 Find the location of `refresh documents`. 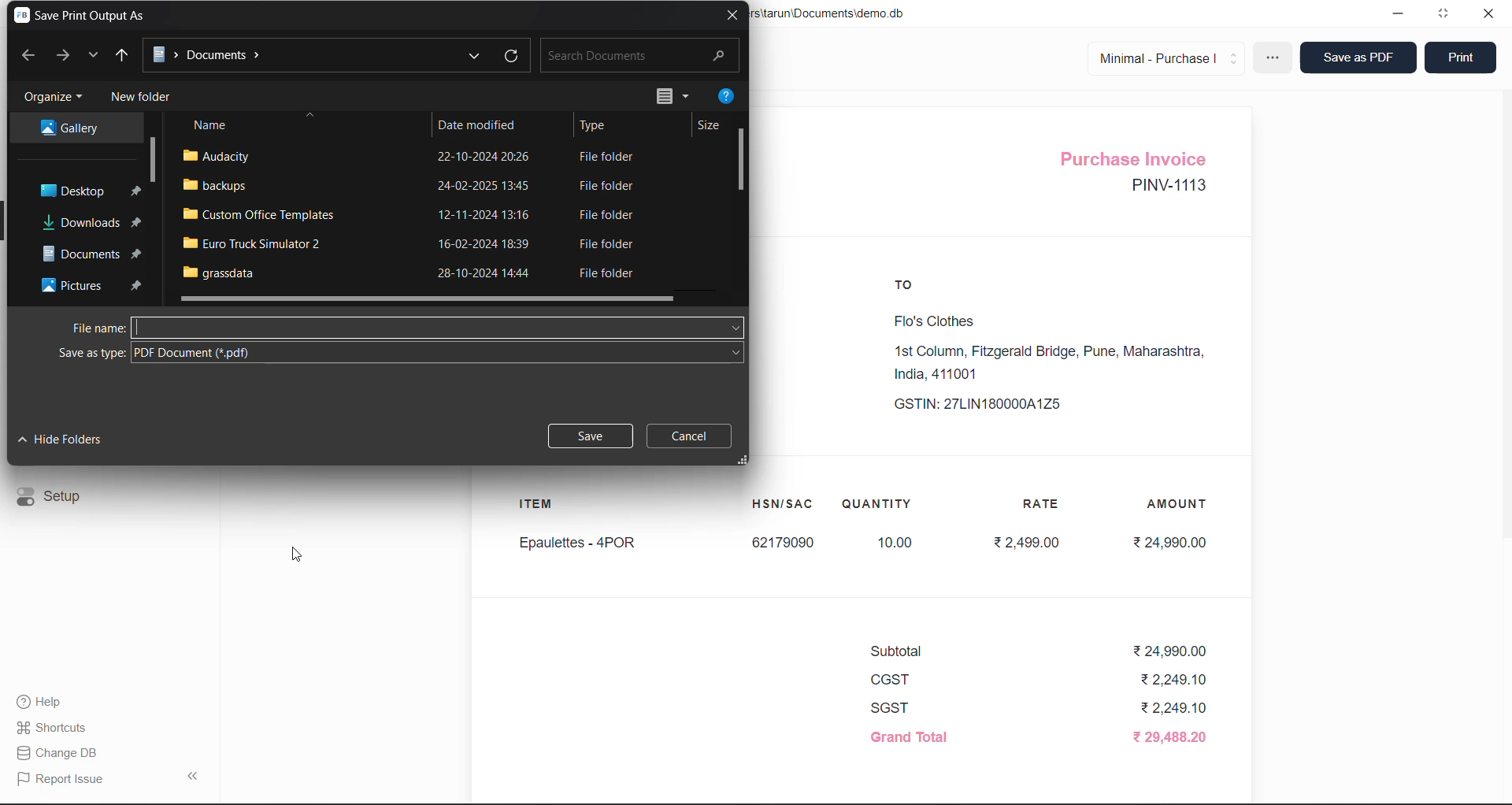

refresh documents is located at coordinates (513, 54).